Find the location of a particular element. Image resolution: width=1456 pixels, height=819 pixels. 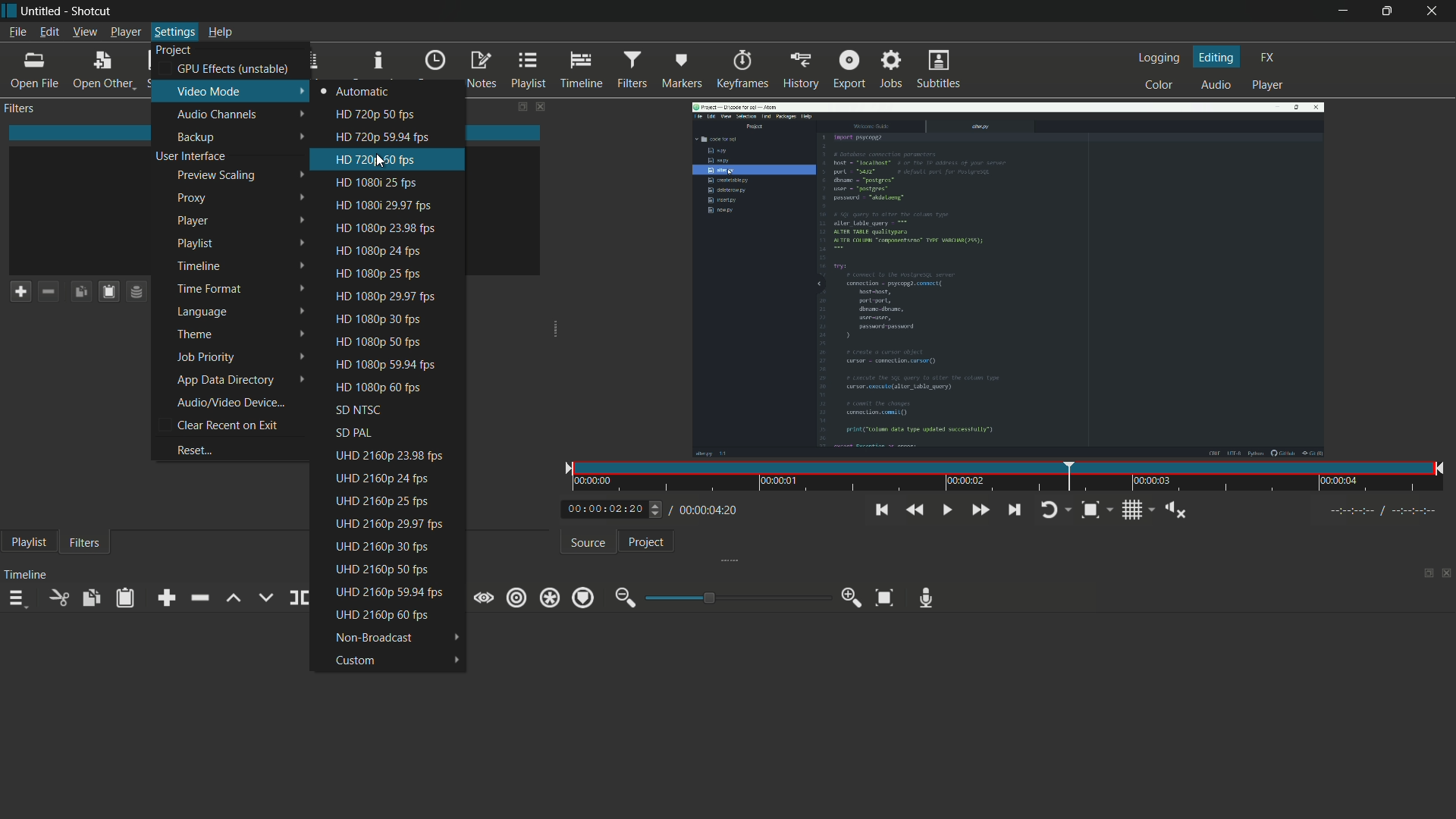

hd 1080p 60 fps is located at coordinates (388, 387).